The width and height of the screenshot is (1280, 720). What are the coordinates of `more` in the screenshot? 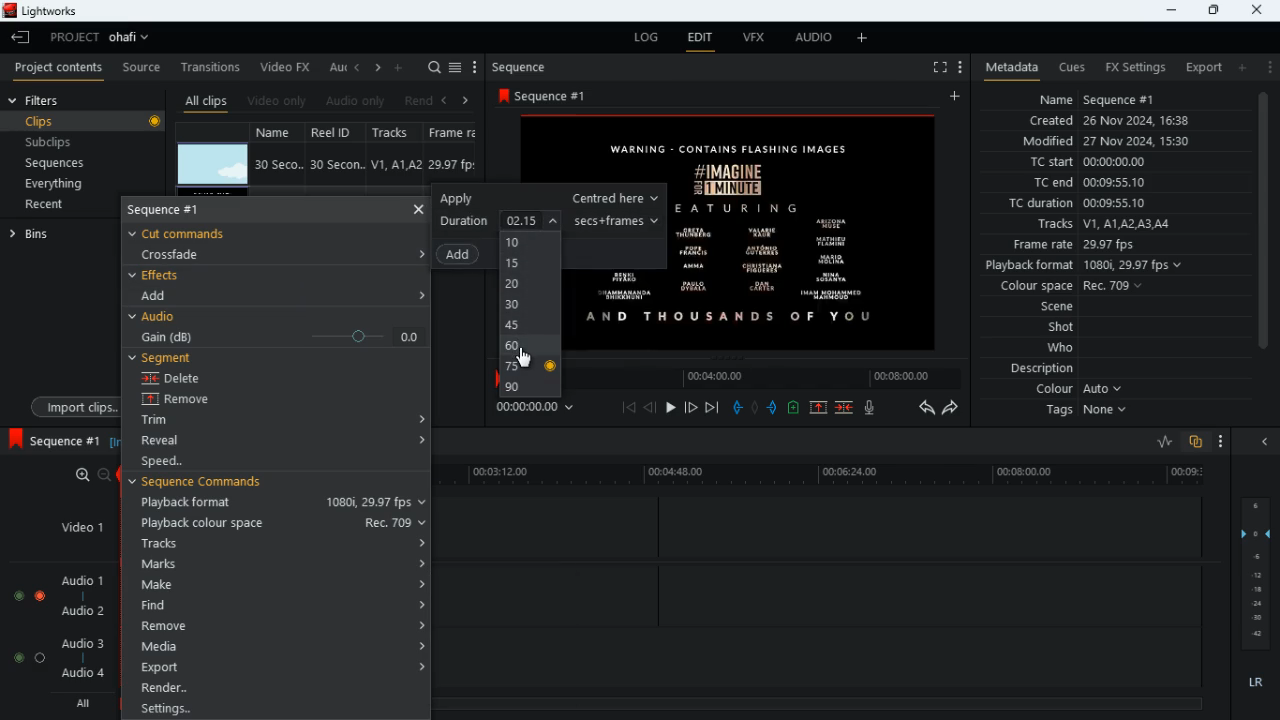 It's located at (1268, 66).